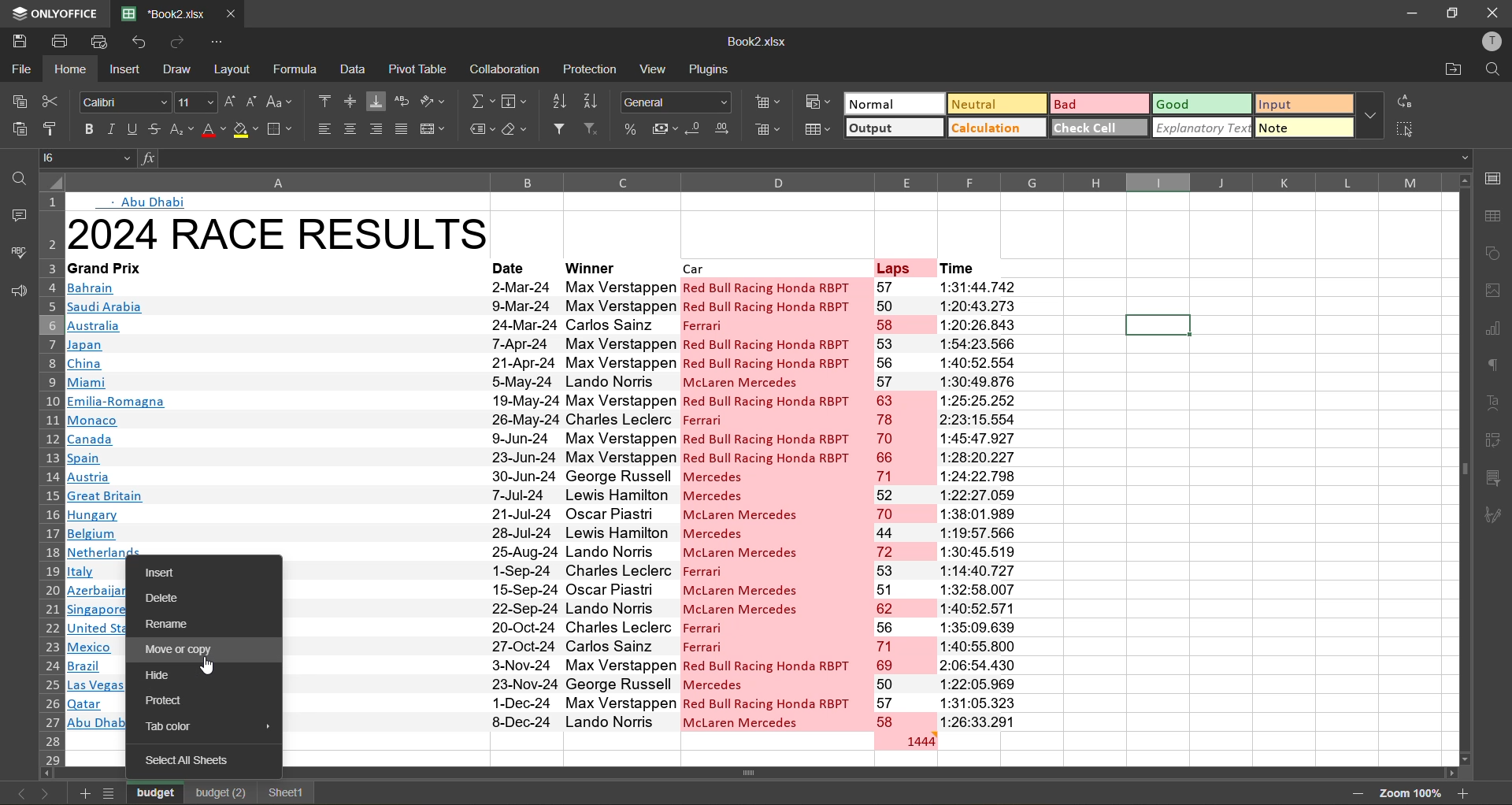  I want to click on text, so click(1496, 403).